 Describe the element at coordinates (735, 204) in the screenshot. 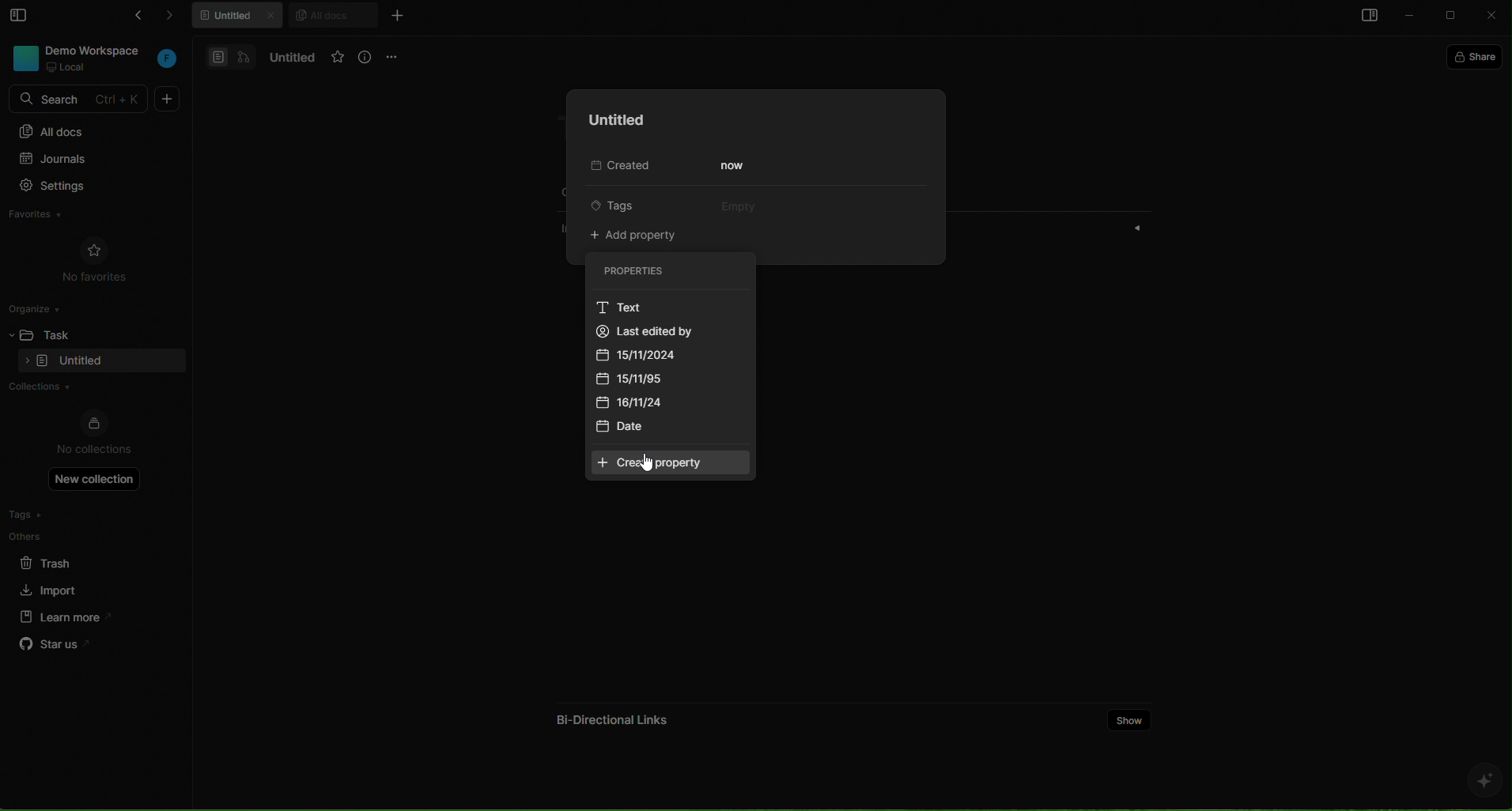

I see `empty` at that location.